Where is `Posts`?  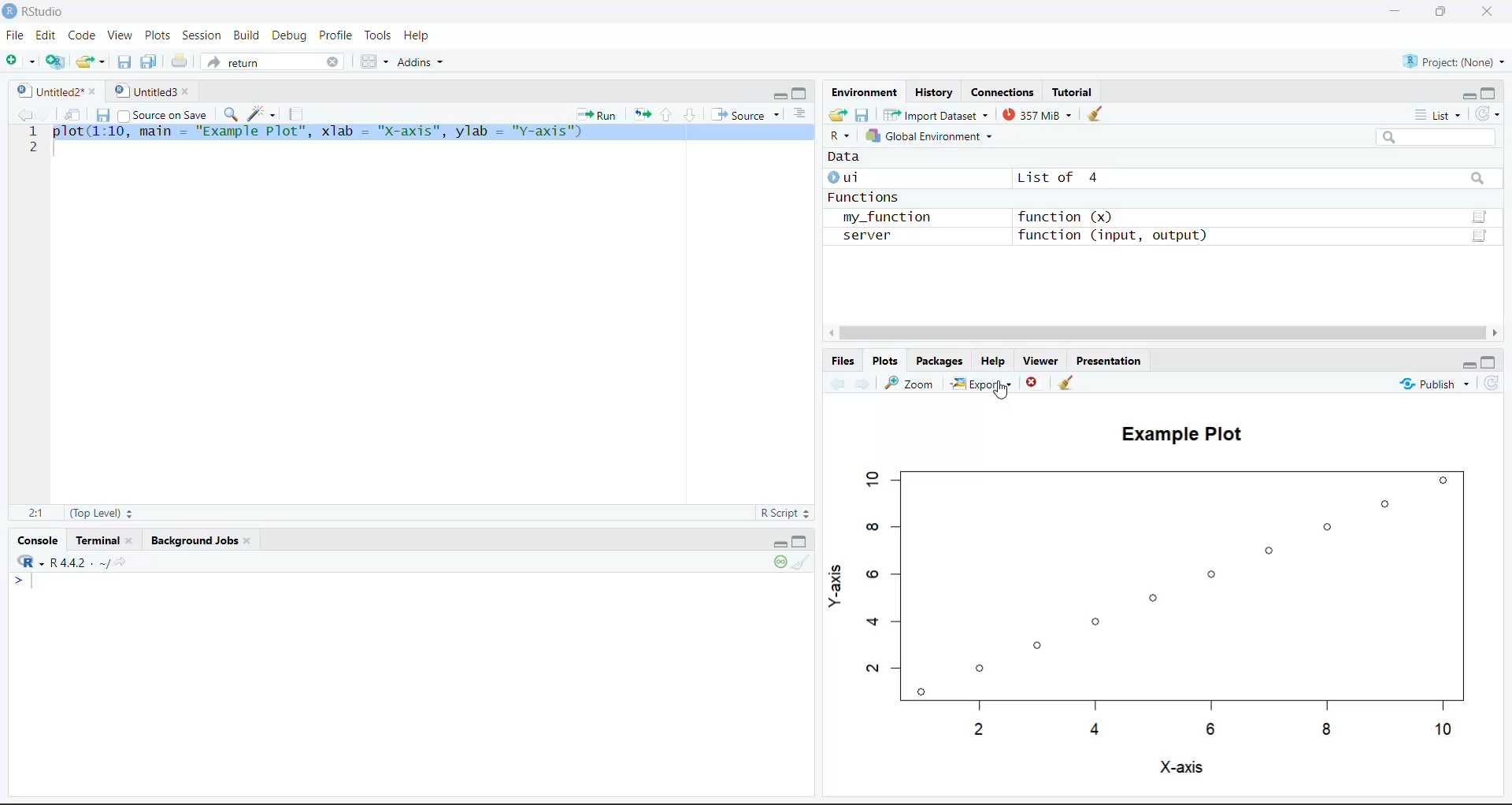 Posts is located at coordinates (159, 35).